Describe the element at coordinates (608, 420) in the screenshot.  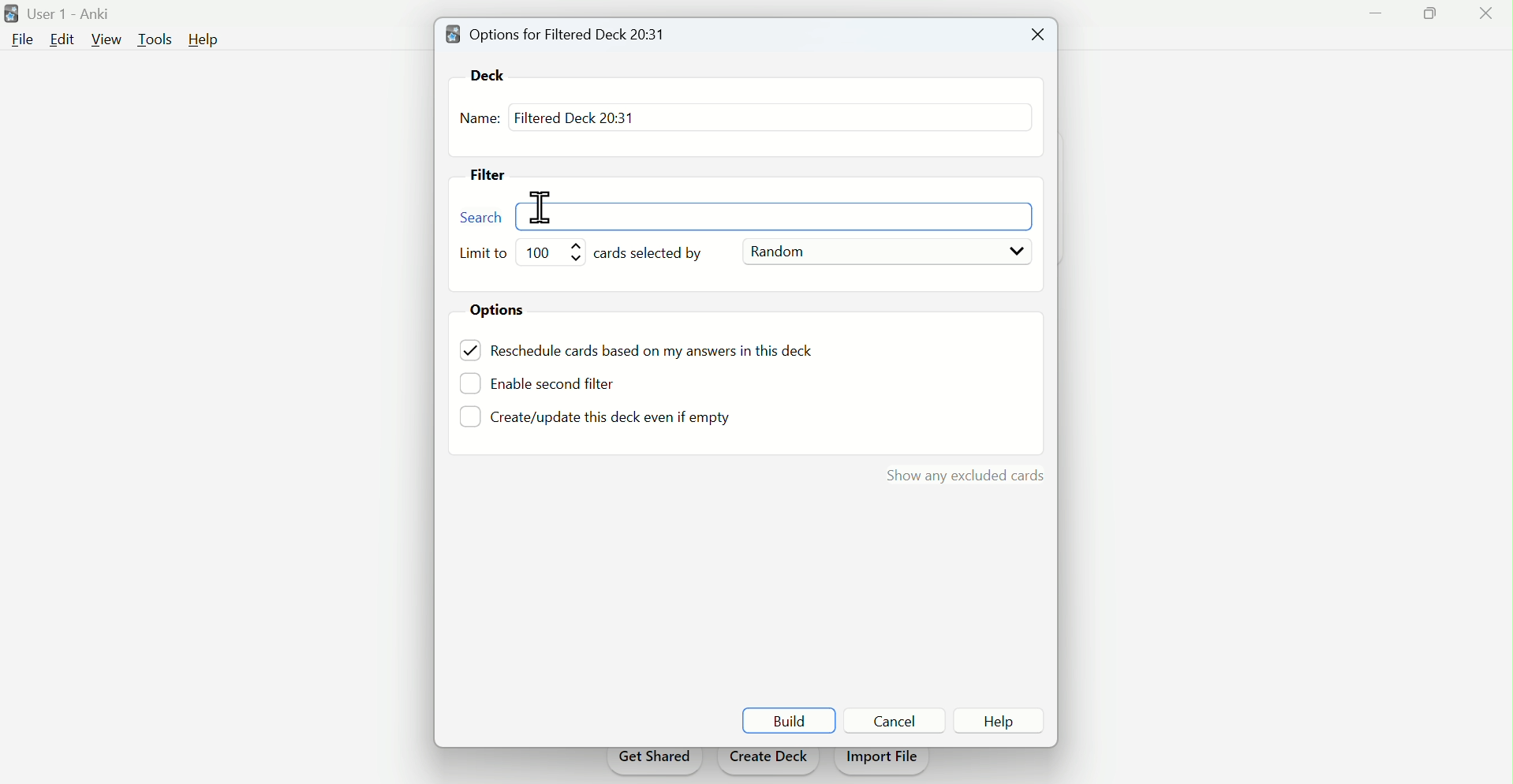
I see `Create/update this deck even if empty` at that location.